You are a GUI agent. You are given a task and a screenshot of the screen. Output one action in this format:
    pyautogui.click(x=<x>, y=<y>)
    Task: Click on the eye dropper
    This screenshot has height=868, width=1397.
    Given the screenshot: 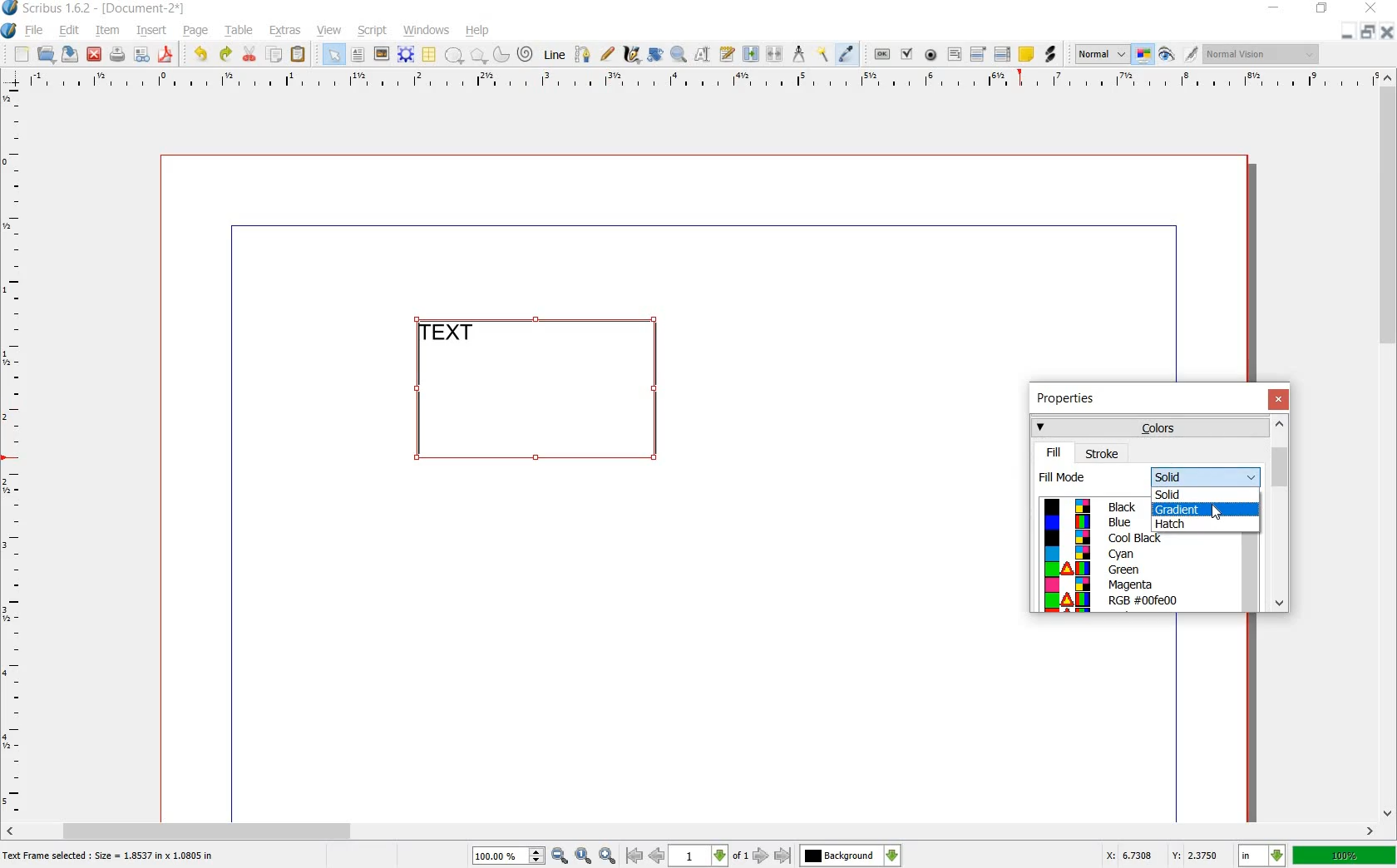 What is the action you would take?
    pyautogui.click(x=847, y=55)
    